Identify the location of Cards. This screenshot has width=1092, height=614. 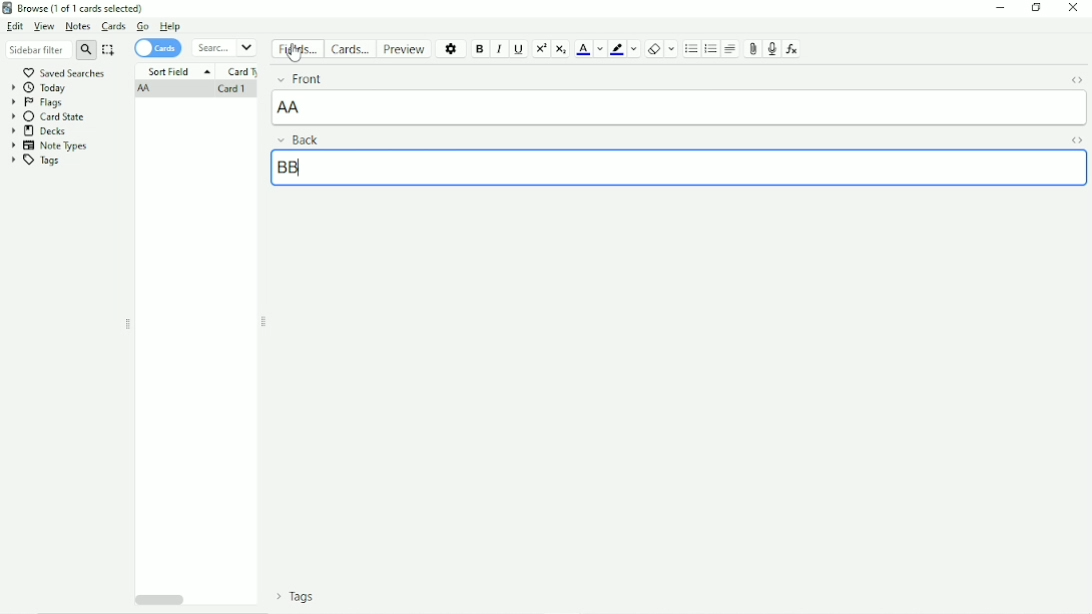
(115, 26).